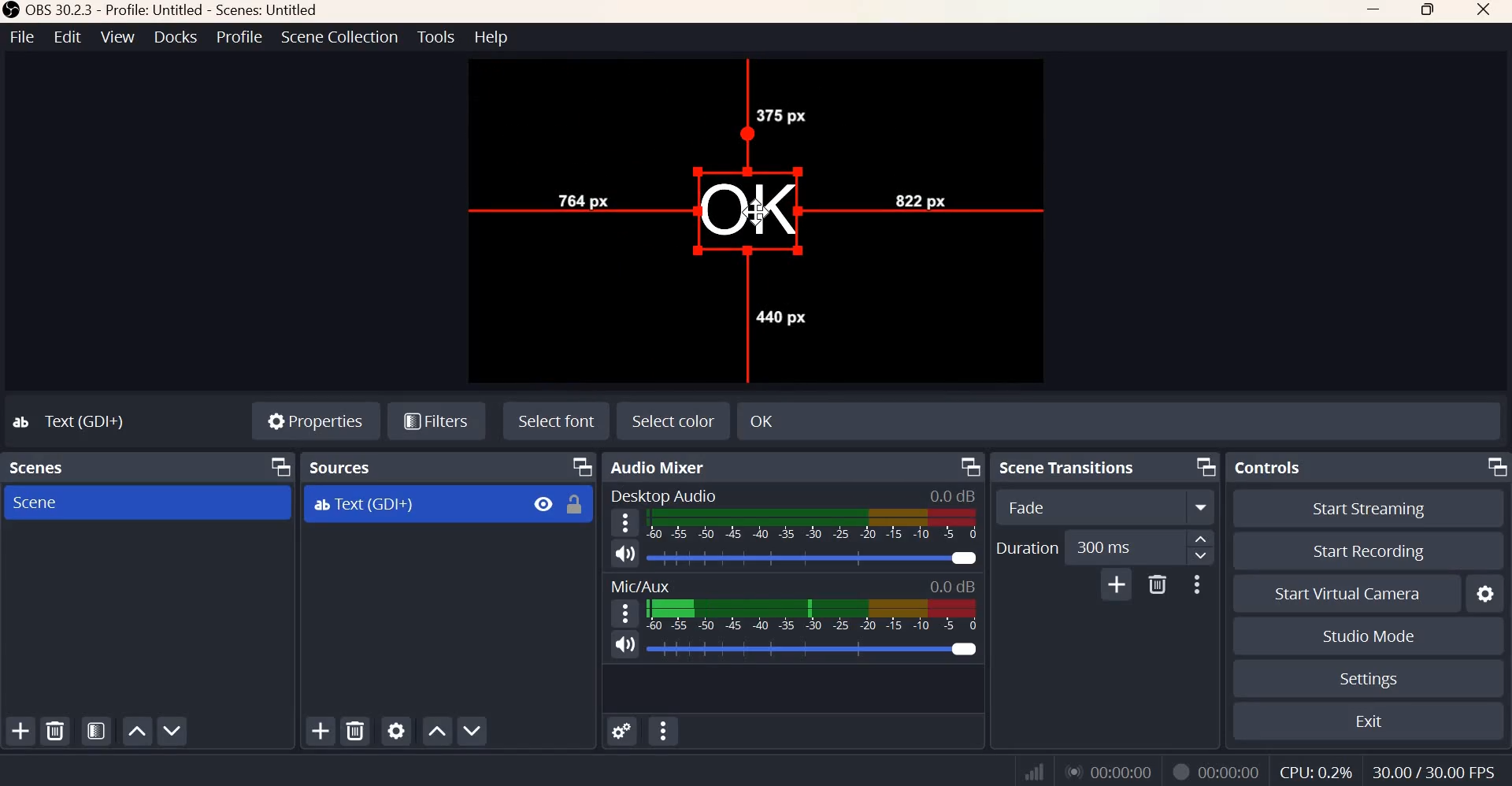  Describe the element at coordinates (1495, 466) in the screenshot. I see `Dock Options icon` at that location.